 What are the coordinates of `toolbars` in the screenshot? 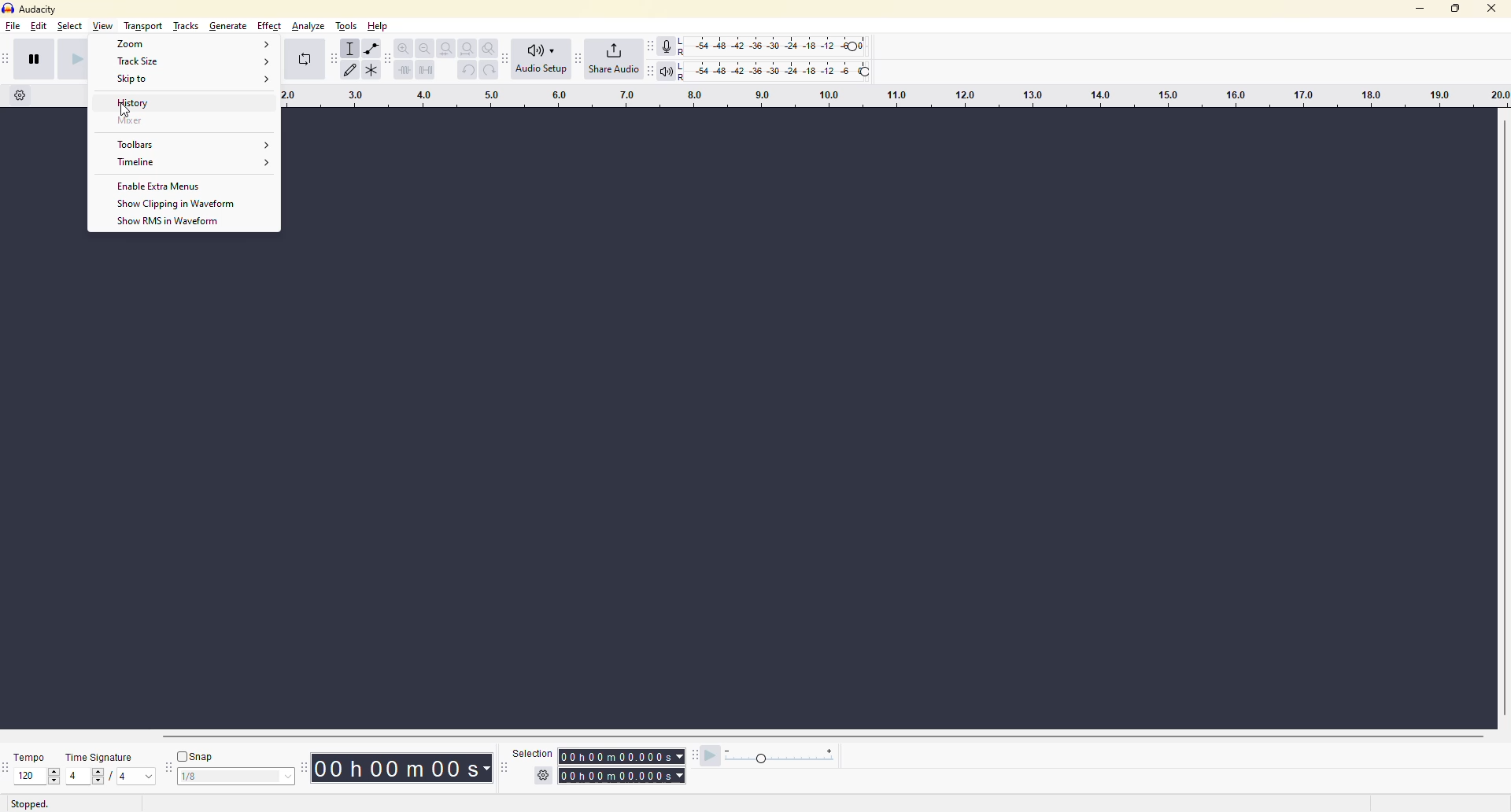 It's located at (192, 144).